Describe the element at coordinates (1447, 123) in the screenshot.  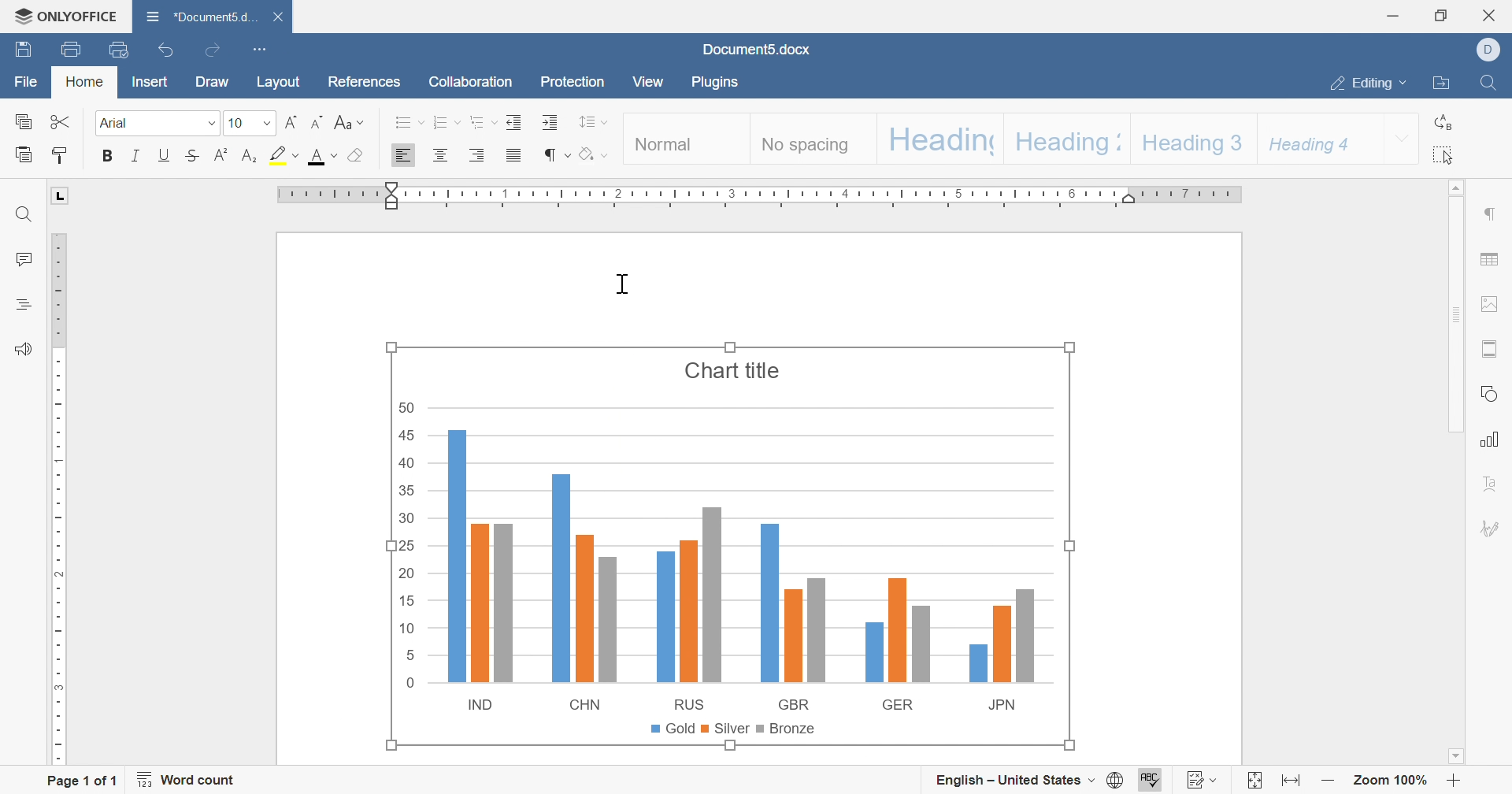
I see `replace` at that location.